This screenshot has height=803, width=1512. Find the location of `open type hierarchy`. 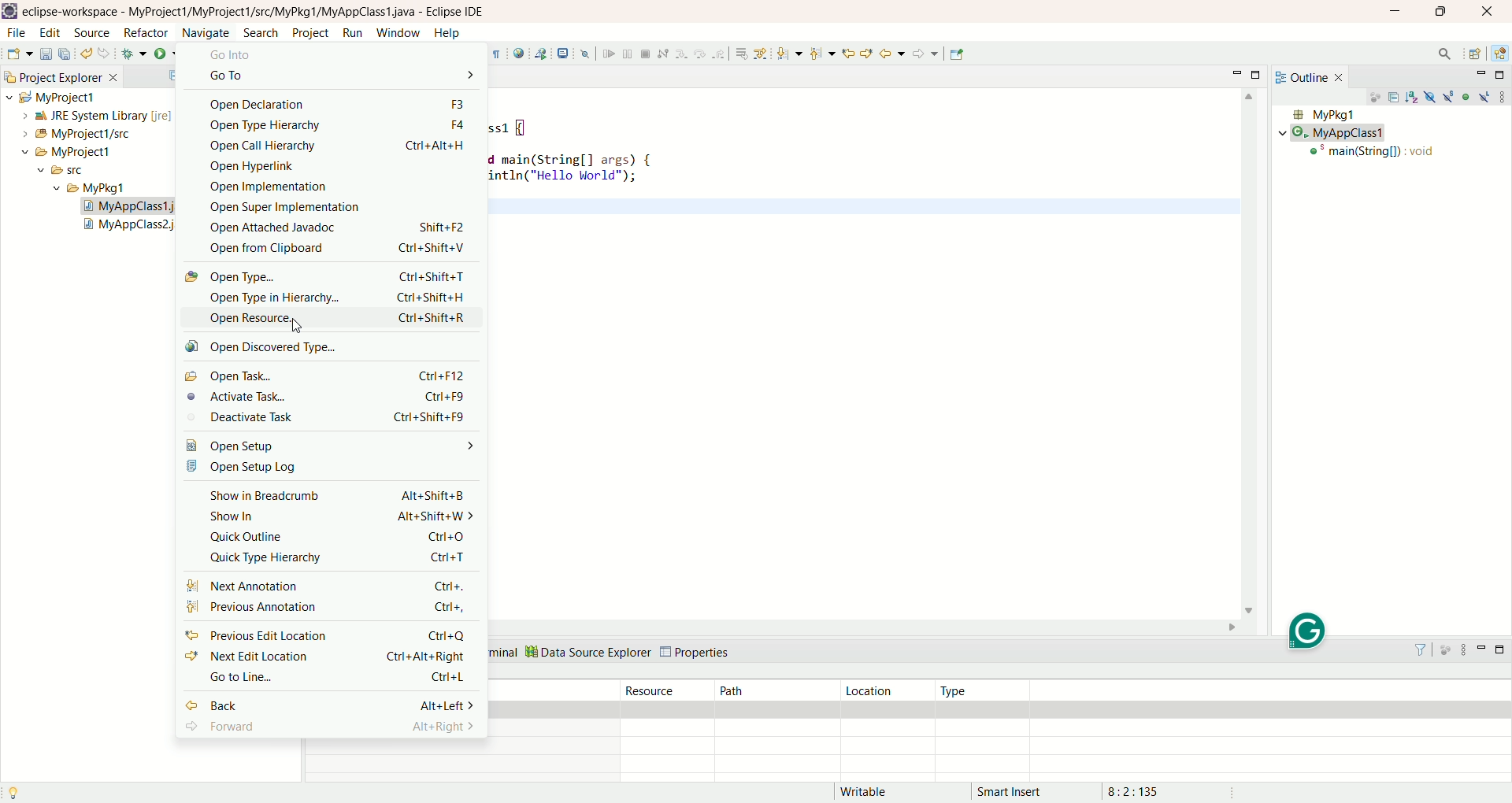

open type hierarchy is located at coordinates (328, 298).